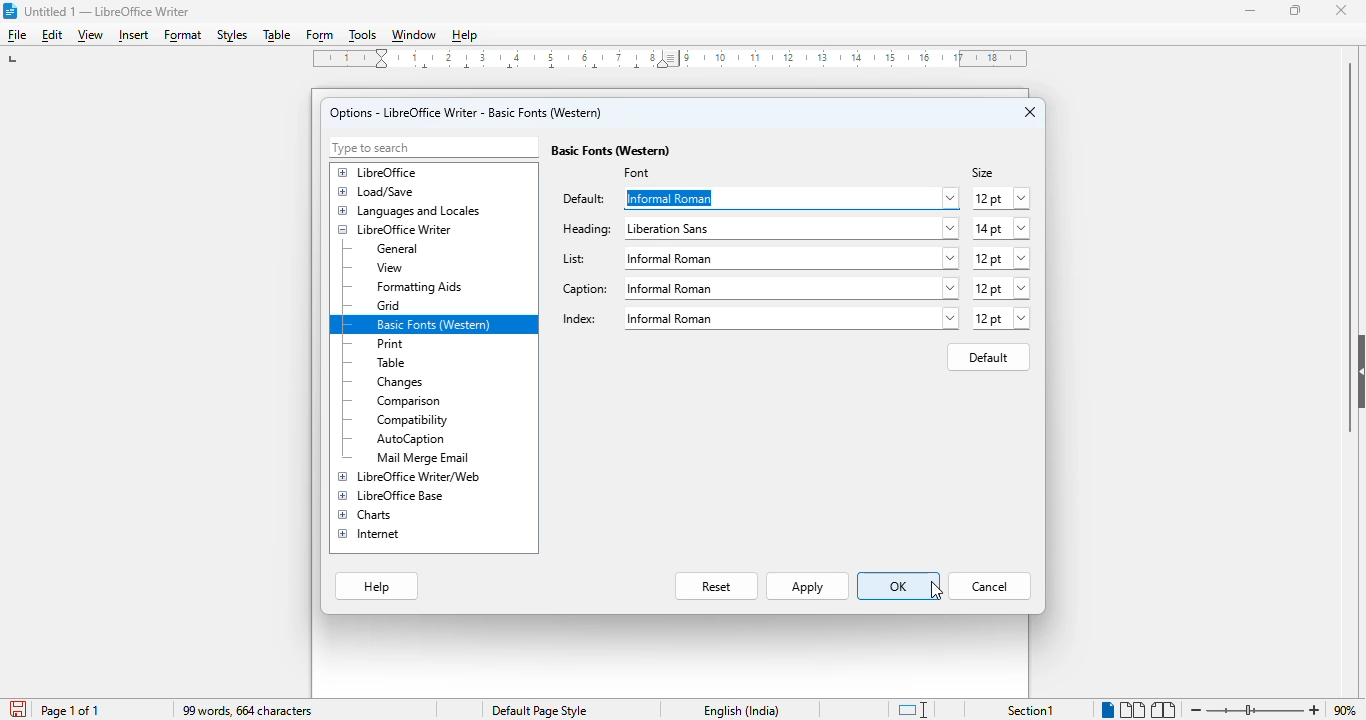  I want to click on minimize, so click(1251, 11).